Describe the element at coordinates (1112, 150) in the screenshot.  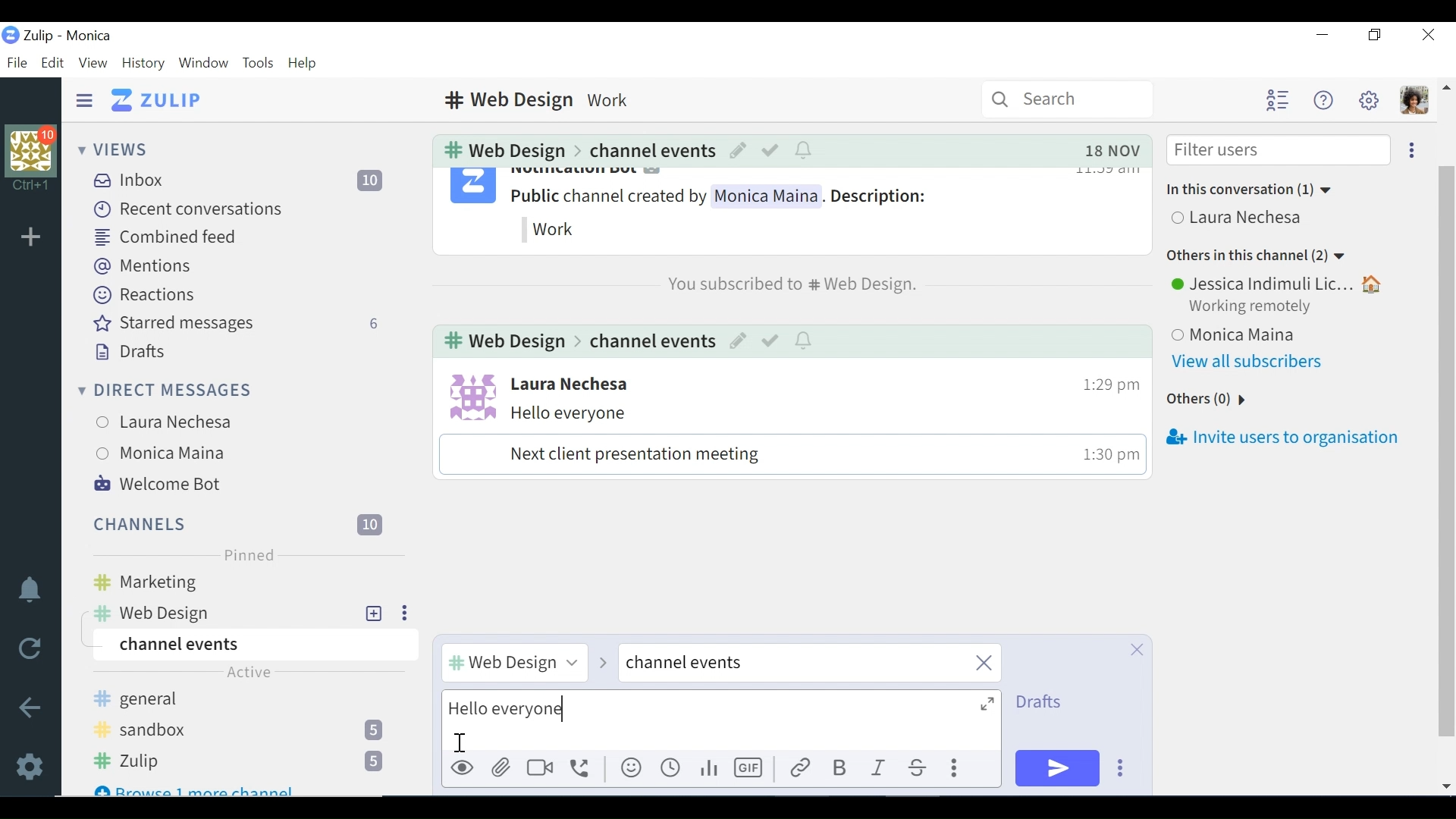
I see `Date` at that location.